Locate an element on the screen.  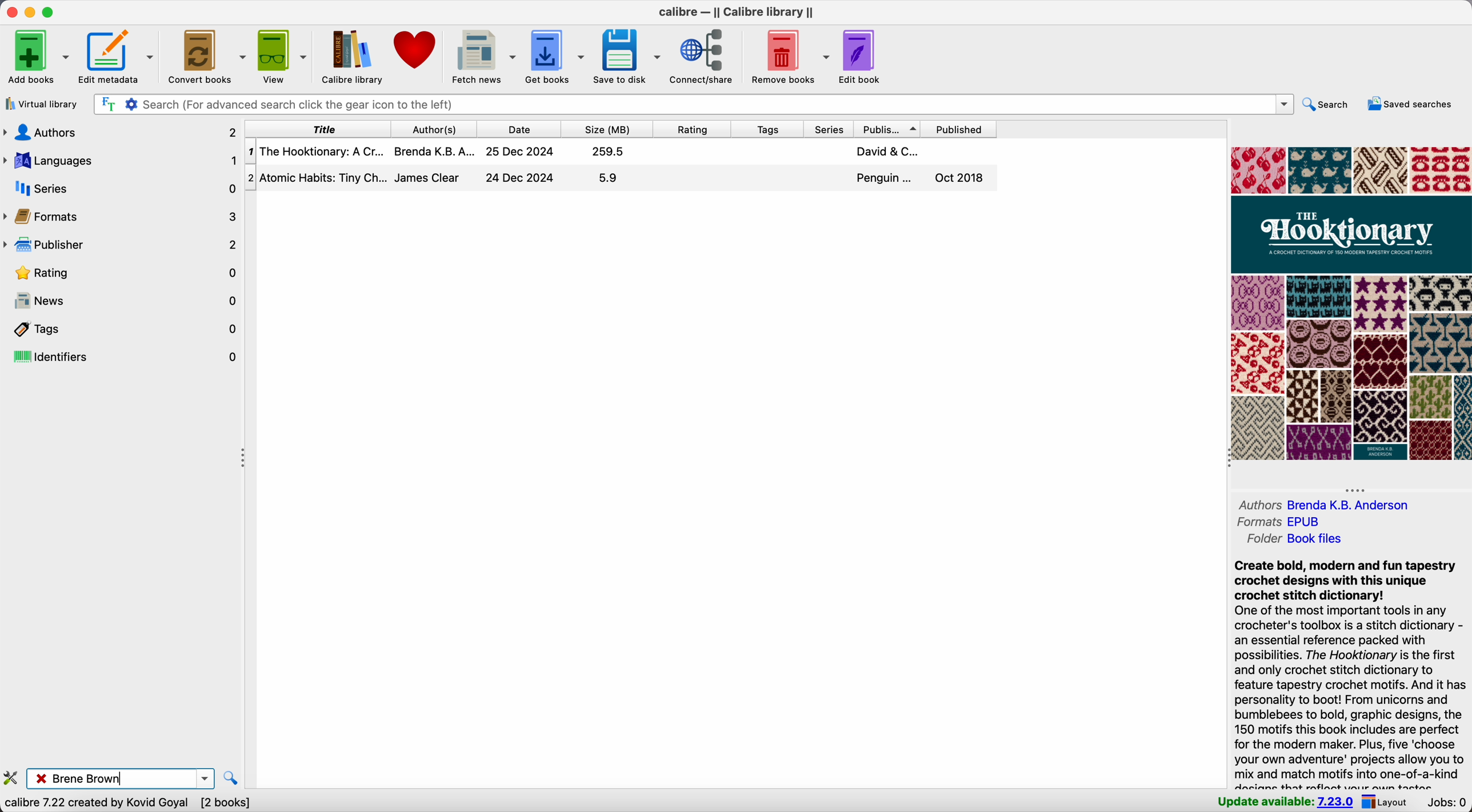
author(s) is located at coordinates (437, 129).